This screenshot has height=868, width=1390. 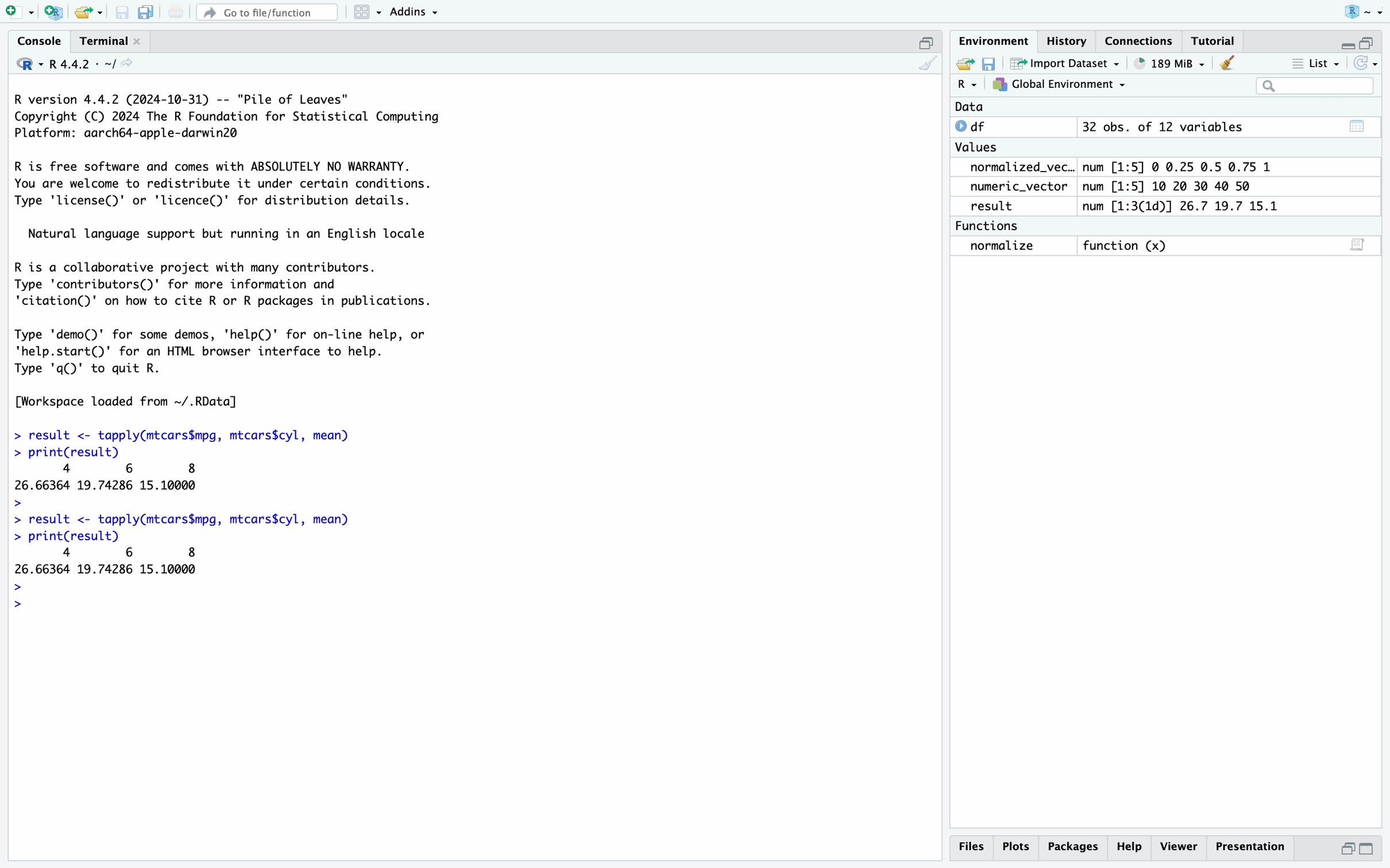 What do you see at coordinates (970, 84) in the screenshot?
I see `R` at bounding box center [970, 84].